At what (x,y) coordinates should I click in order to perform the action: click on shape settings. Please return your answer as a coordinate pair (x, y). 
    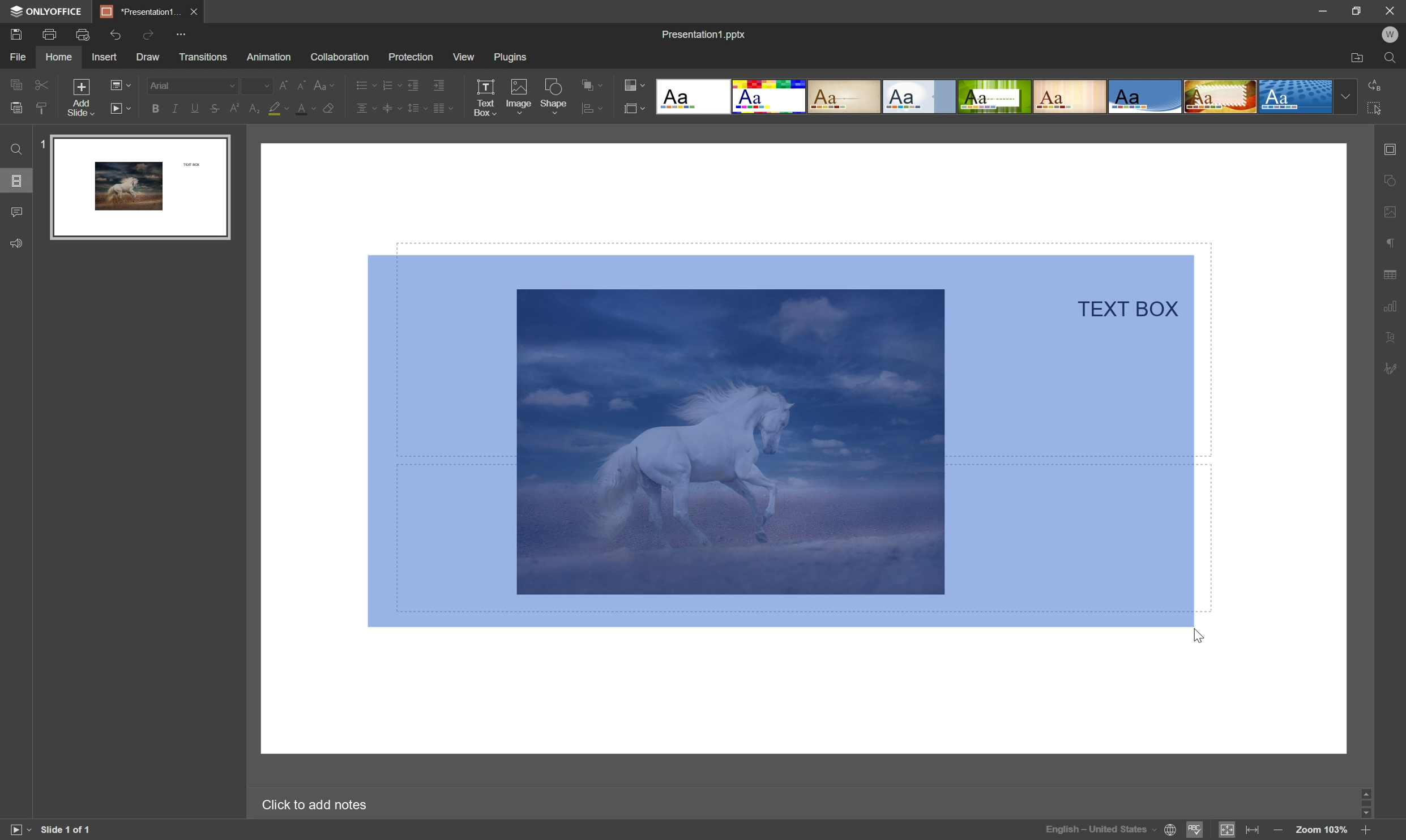
    Looking at the image, I should click on (1393, 181).